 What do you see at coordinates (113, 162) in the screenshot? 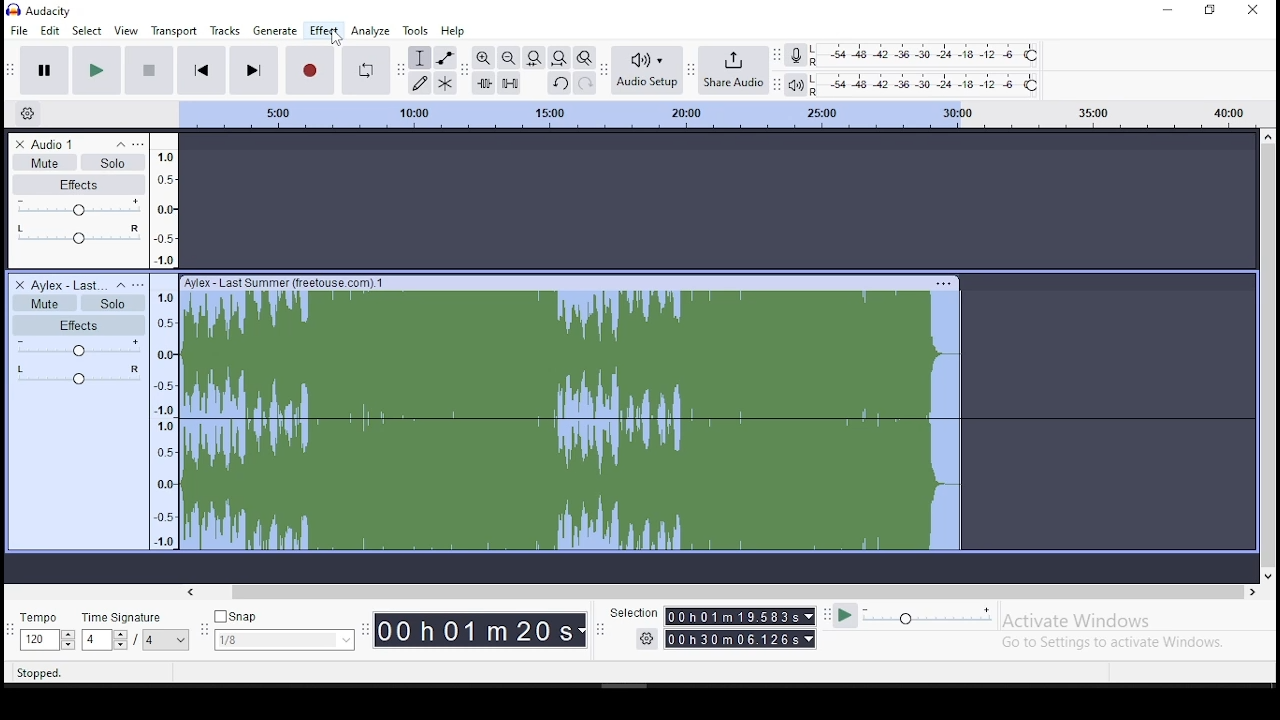
I see `solo` at bounding box center [113, 162].